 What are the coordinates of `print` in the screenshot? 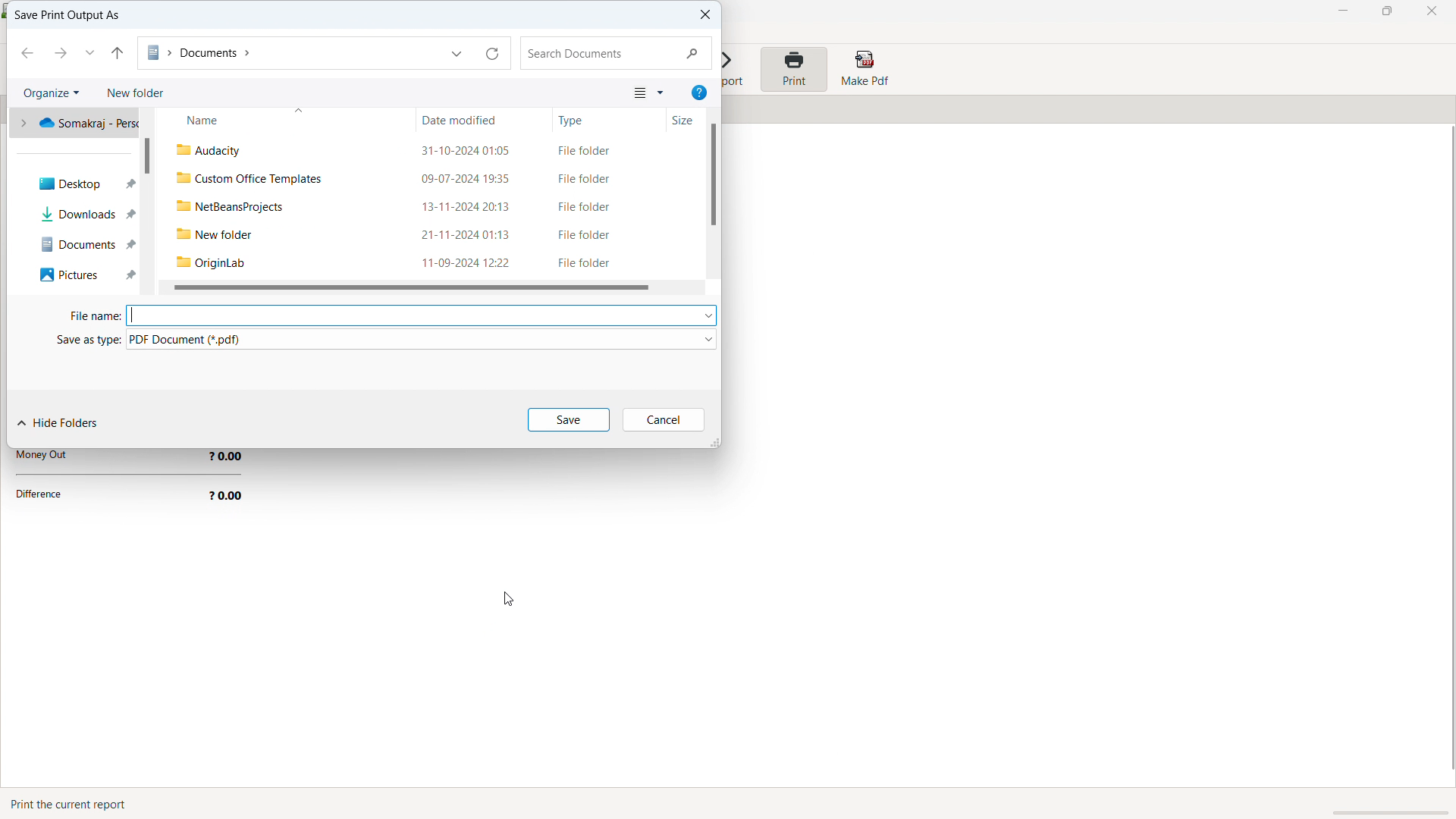 It's located at (793, 69).